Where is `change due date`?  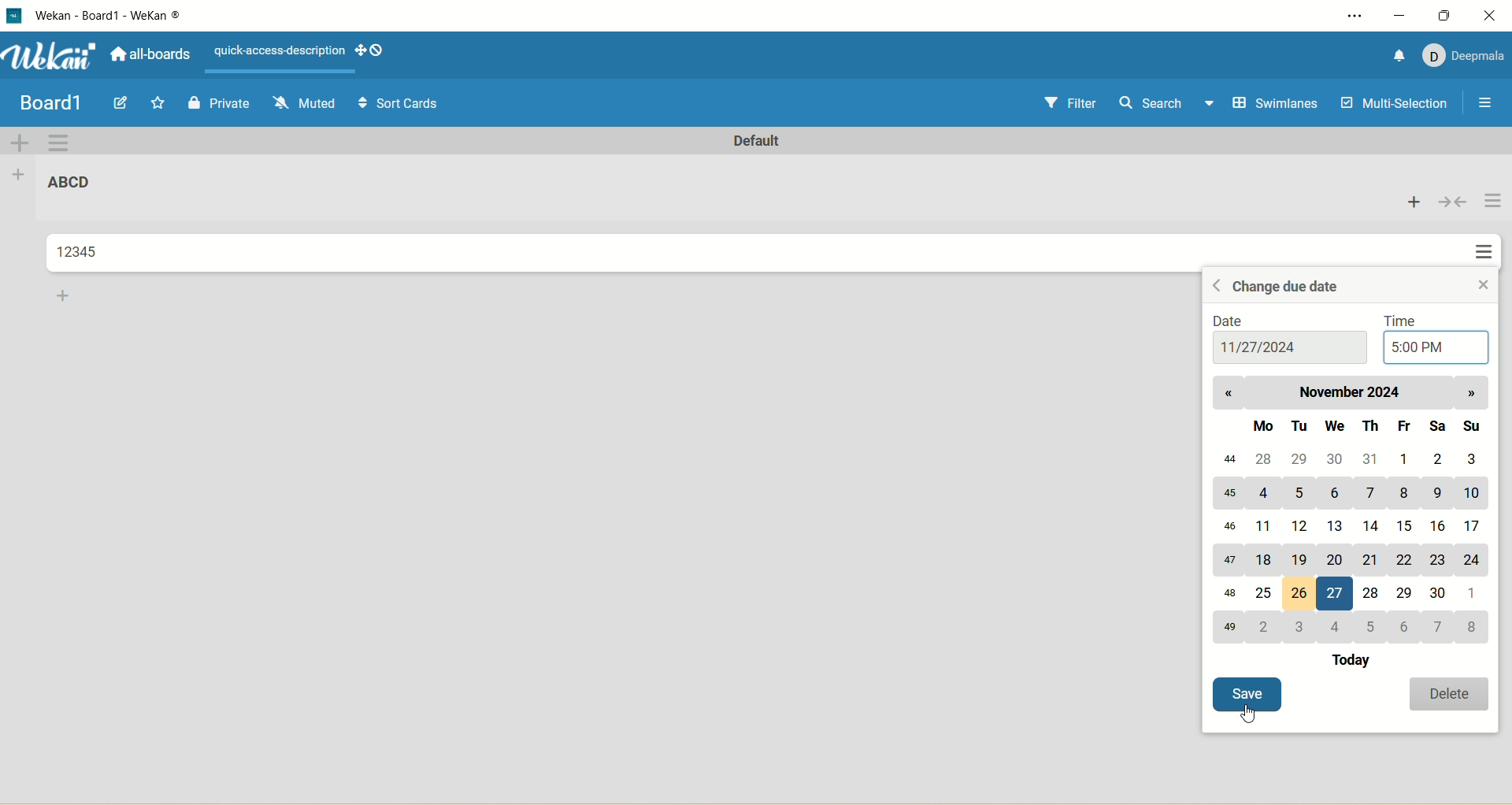 change due date is located at coordinates (1277, 287).